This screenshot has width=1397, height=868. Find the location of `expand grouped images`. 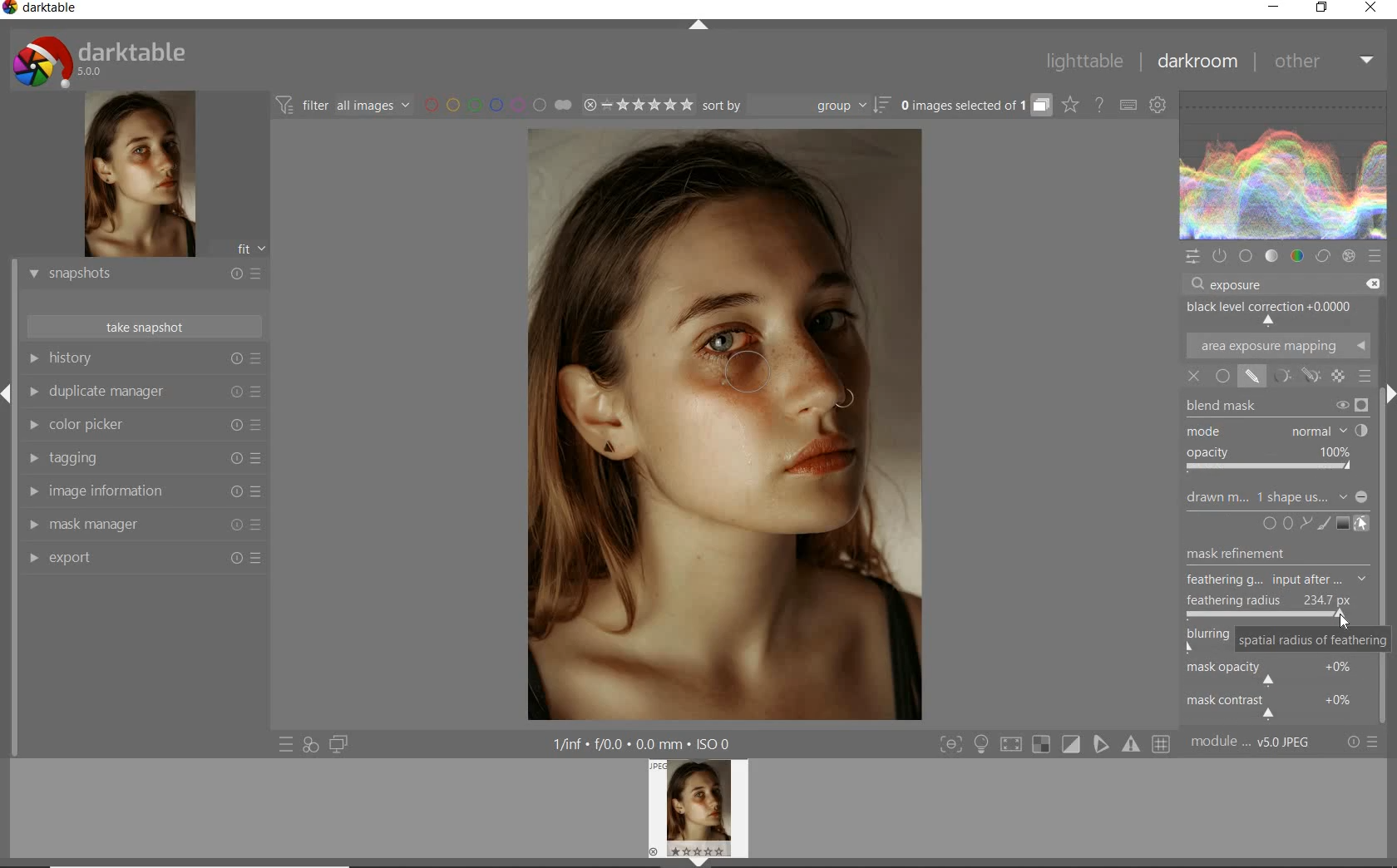

expand grouped images is located at coordinates (974, 106).